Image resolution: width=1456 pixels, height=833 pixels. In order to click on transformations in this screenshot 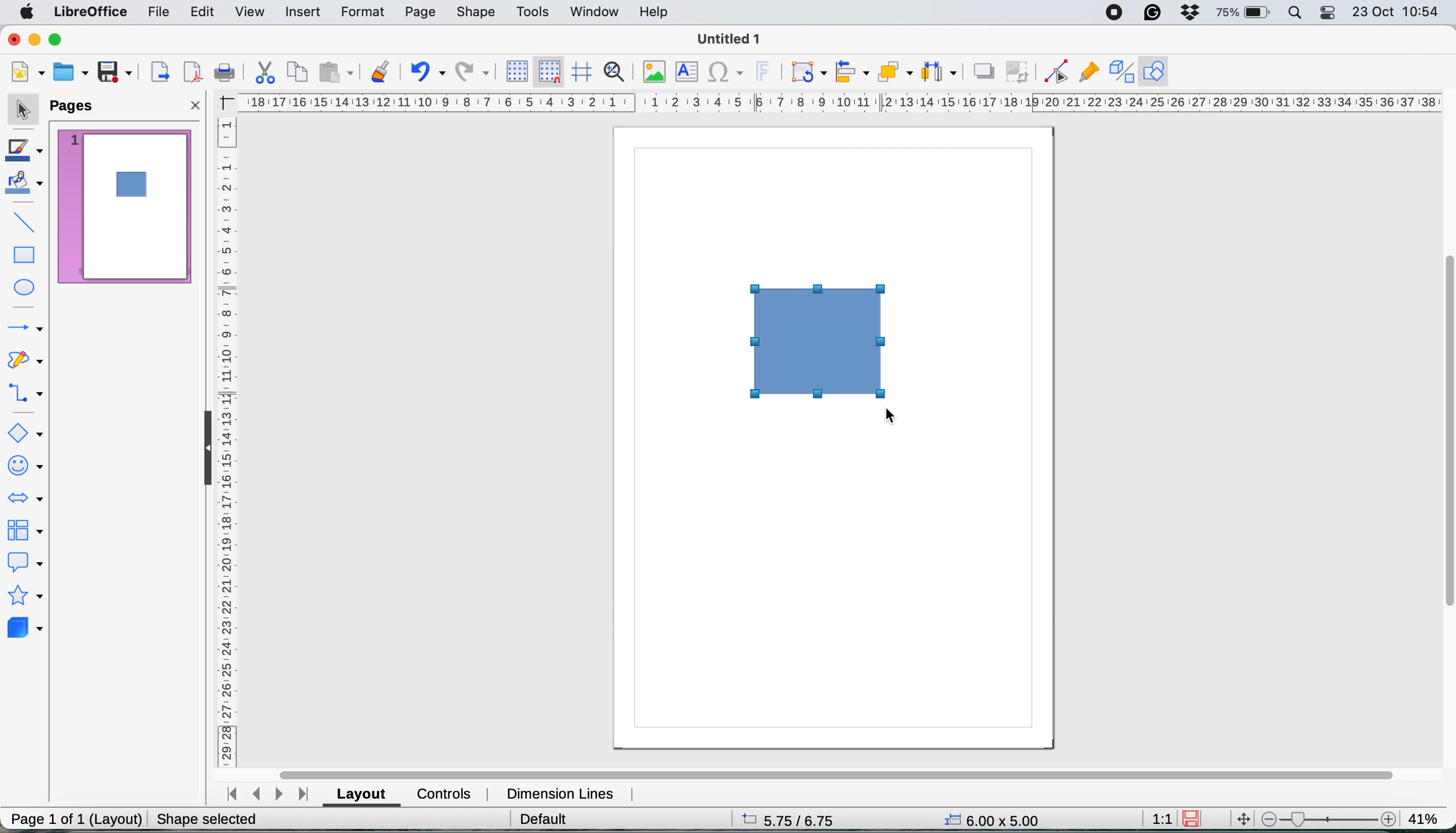, I will do `click(807, 73)`.